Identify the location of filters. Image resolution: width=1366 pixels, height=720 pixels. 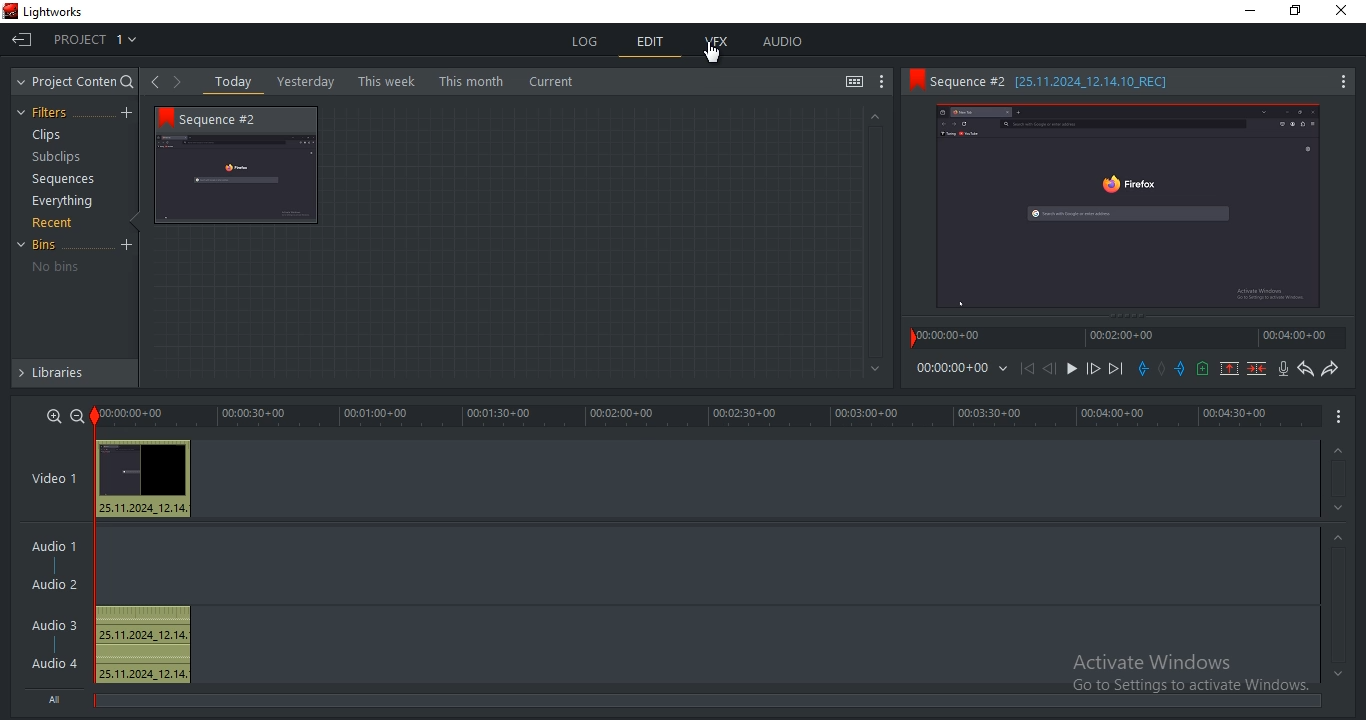
(72, 112).